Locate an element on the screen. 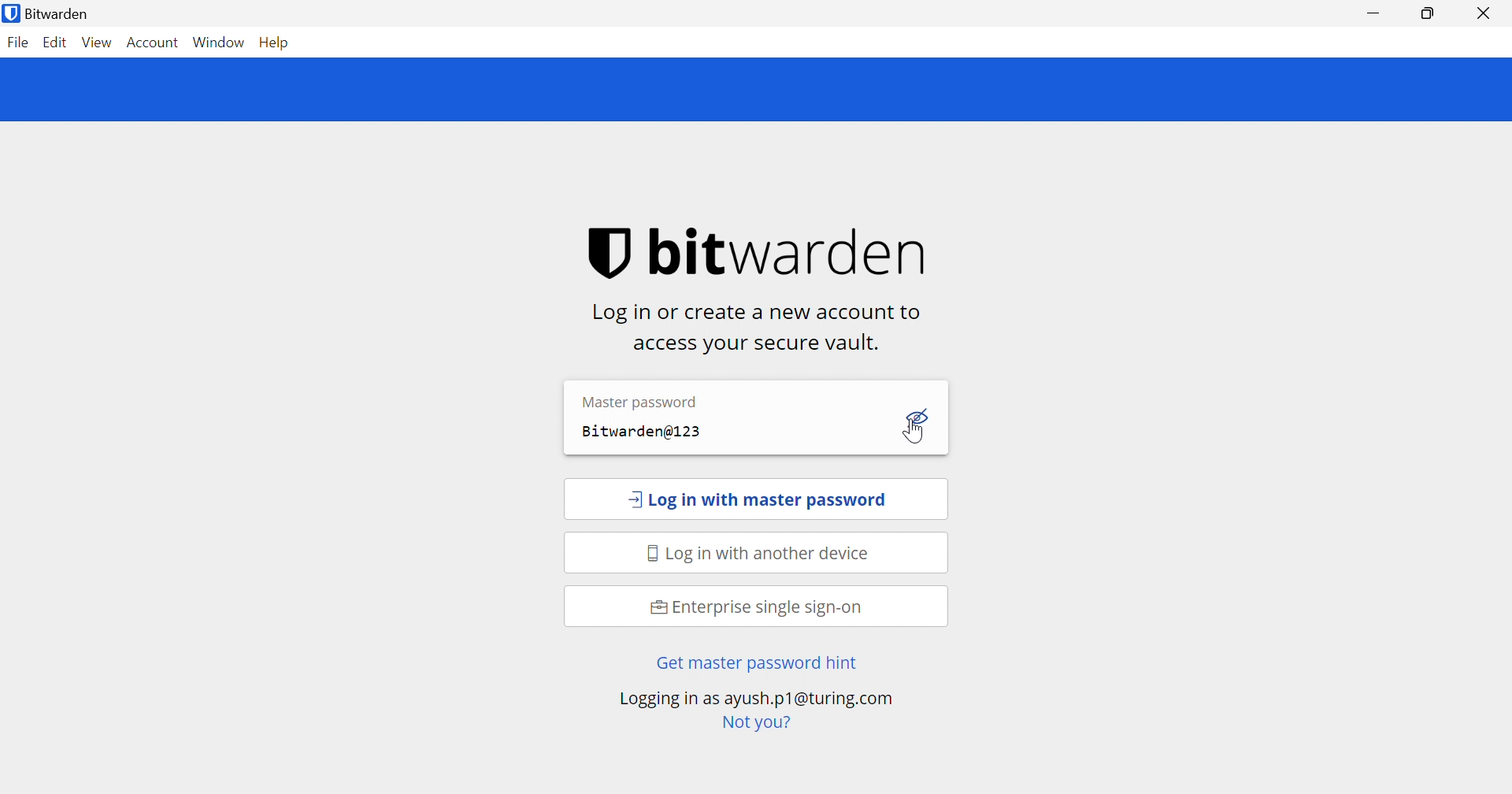 The height and width of the screenshot is (794, 1512). Enterprise single sign-on is located at coordinates (757, 608).